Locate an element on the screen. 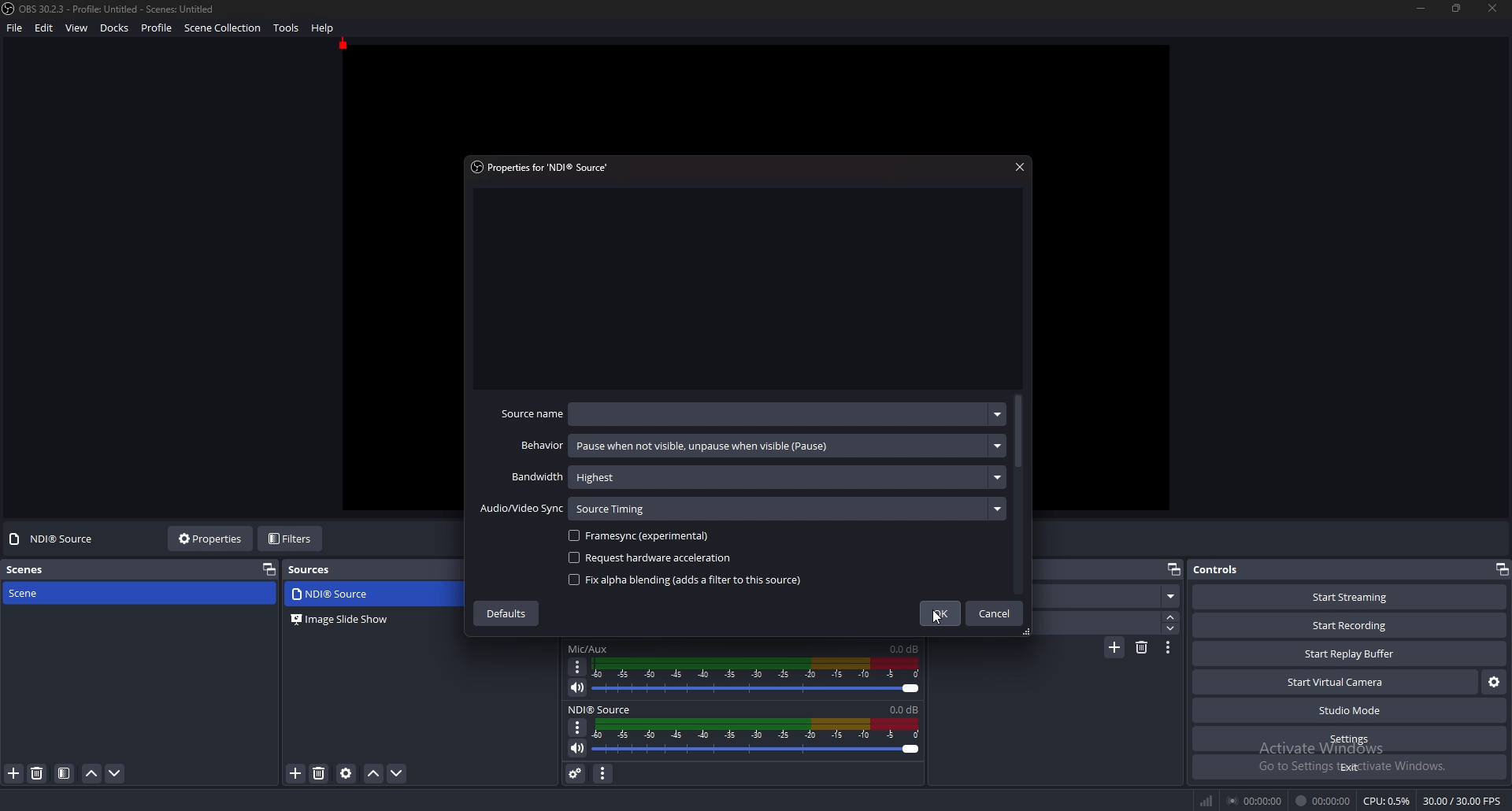 The image size is (1512, 811). Button is located at coordinates (1173, 596).